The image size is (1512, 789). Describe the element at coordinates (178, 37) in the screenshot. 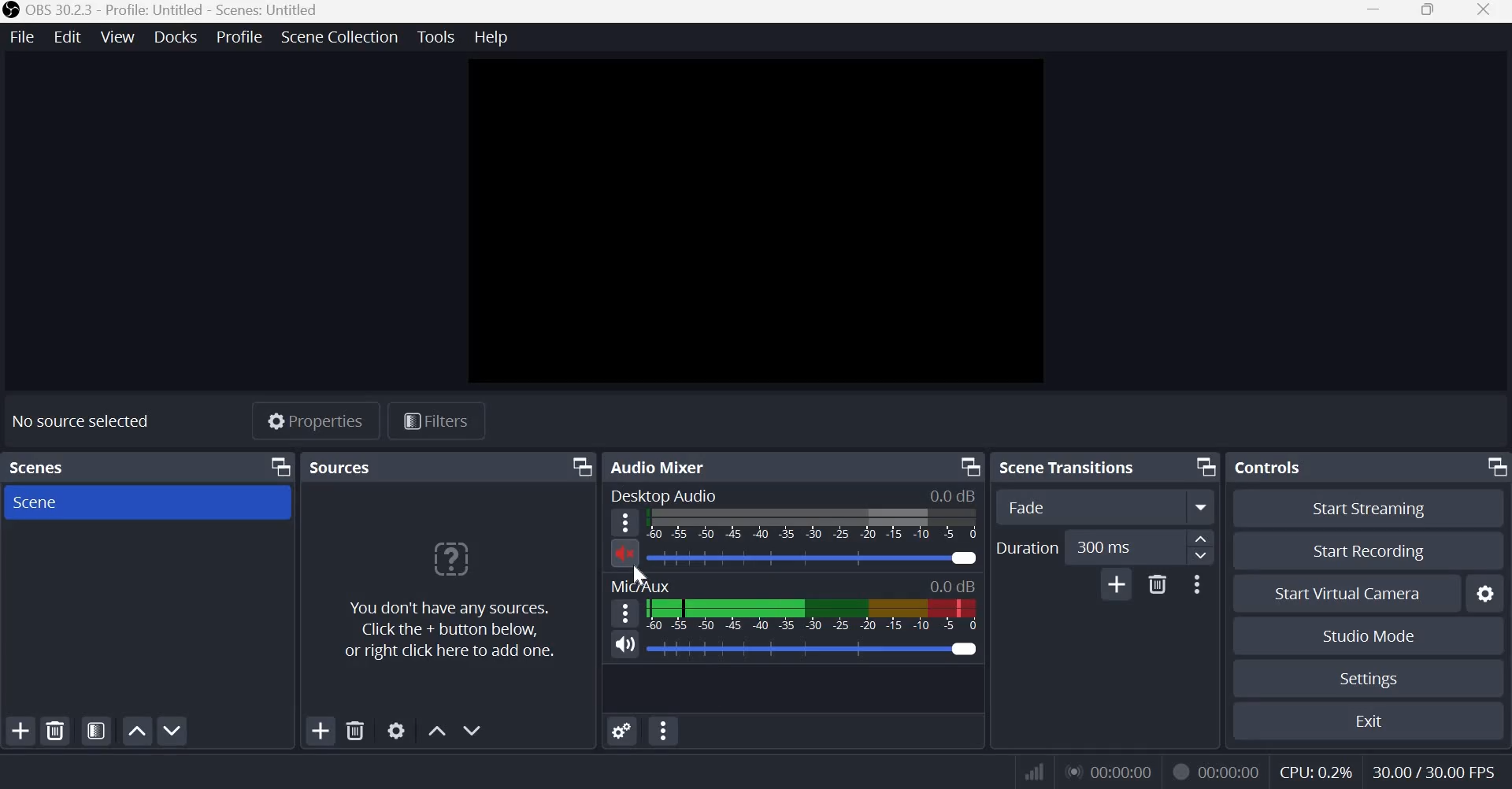

I see `Docks` at that location.